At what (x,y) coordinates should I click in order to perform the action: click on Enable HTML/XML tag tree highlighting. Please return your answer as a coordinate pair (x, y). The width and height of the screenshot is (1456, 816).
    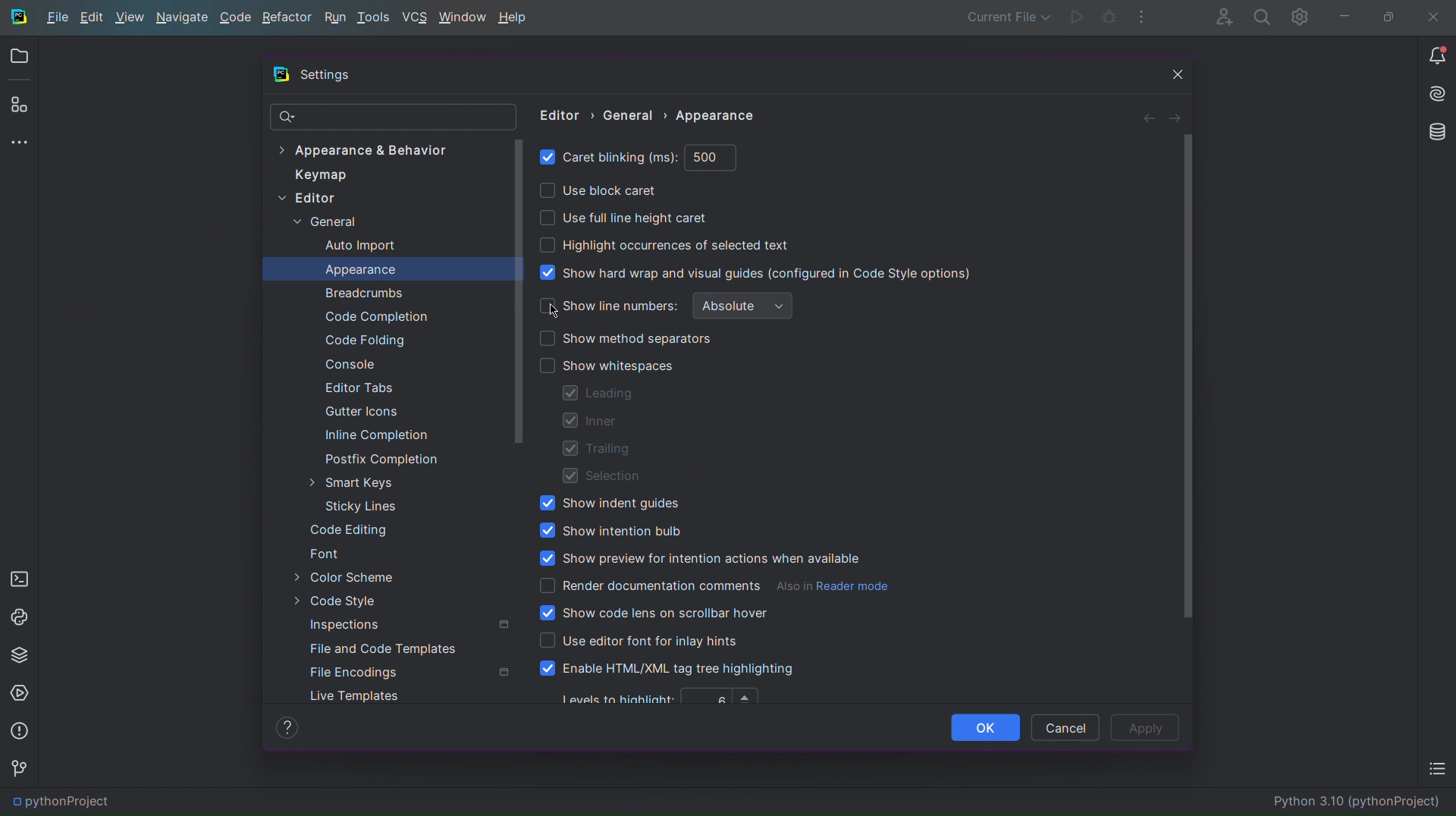
    Looking at the image, I should click on (669, 670).